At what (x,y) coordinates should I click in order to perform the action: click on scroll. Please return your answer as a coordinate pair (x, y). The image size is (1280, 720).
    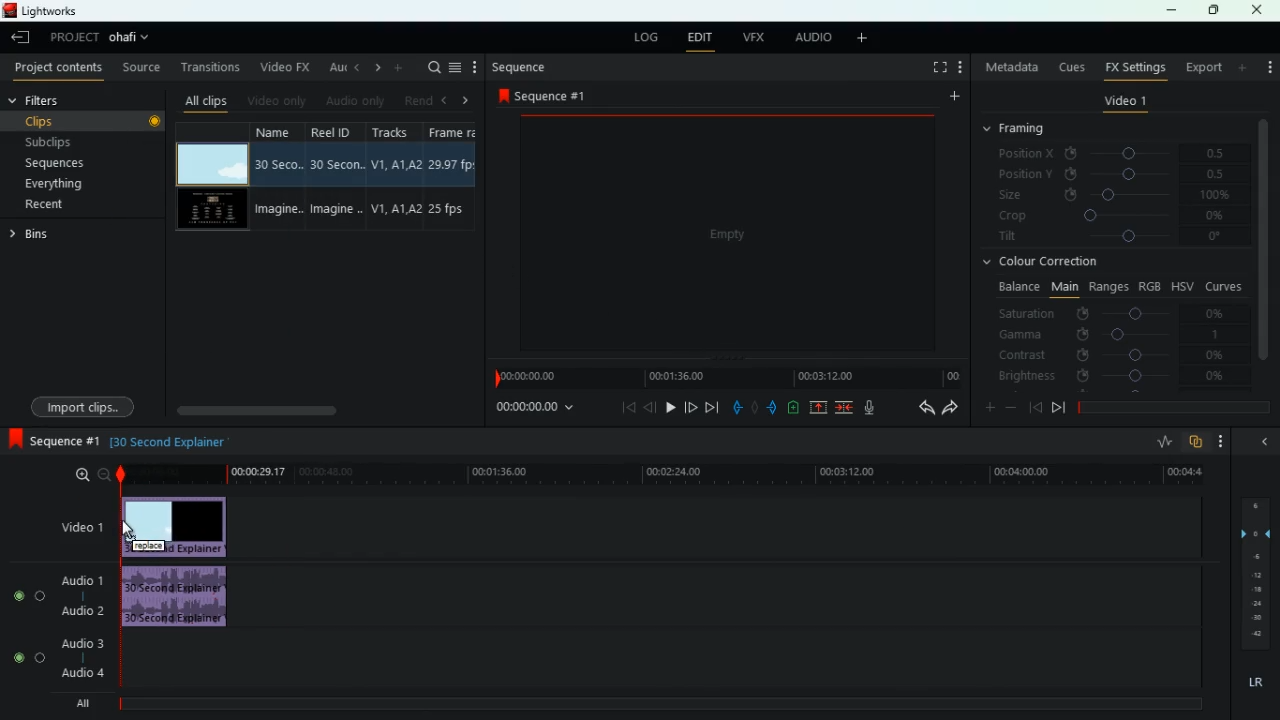
    Looking at the image, I should click on (321, 410).